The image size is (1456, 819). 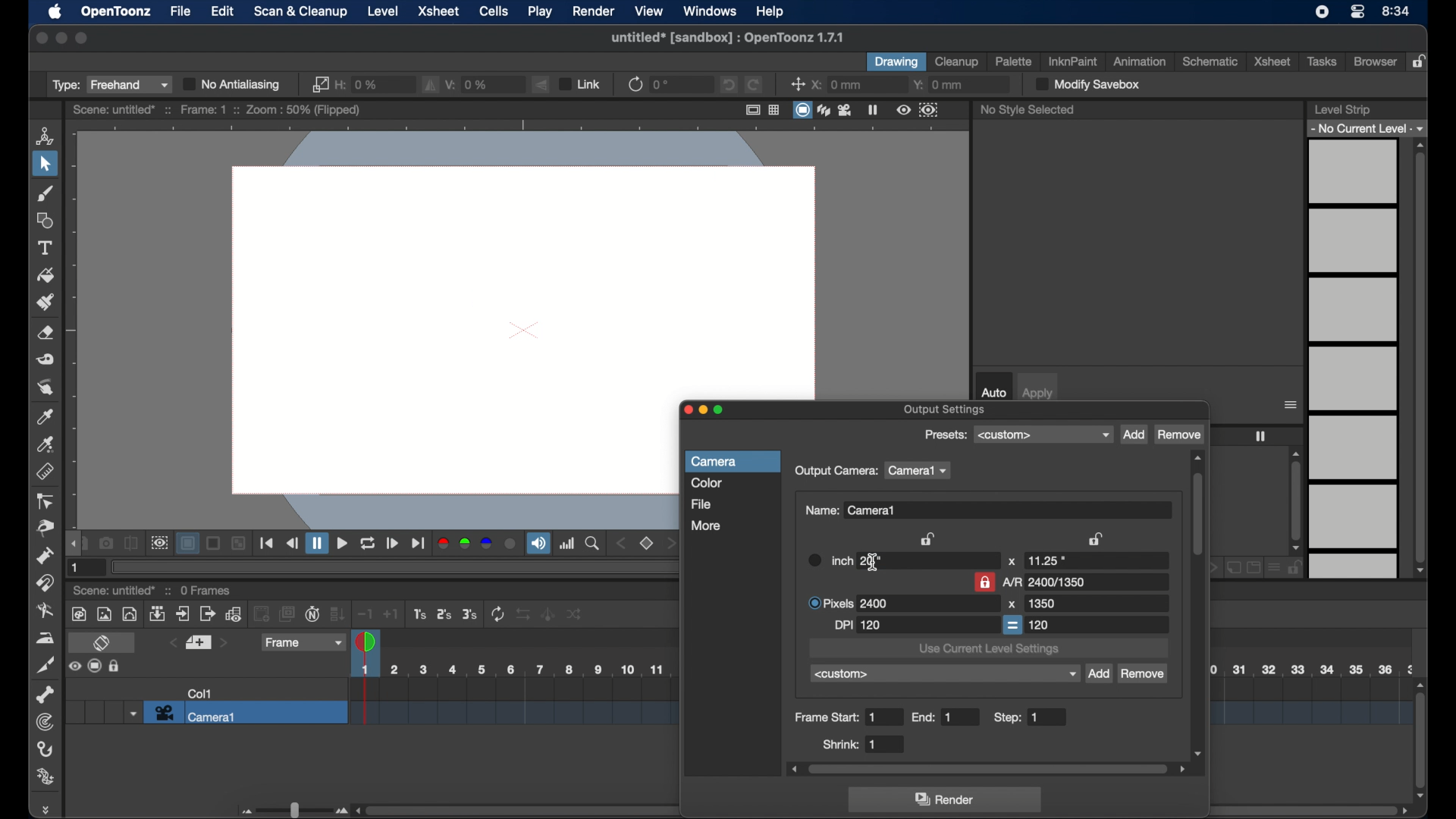 What do you see at coordinates (208, 591) in the screenshot?
I see `` at bounding box center [208, 591].